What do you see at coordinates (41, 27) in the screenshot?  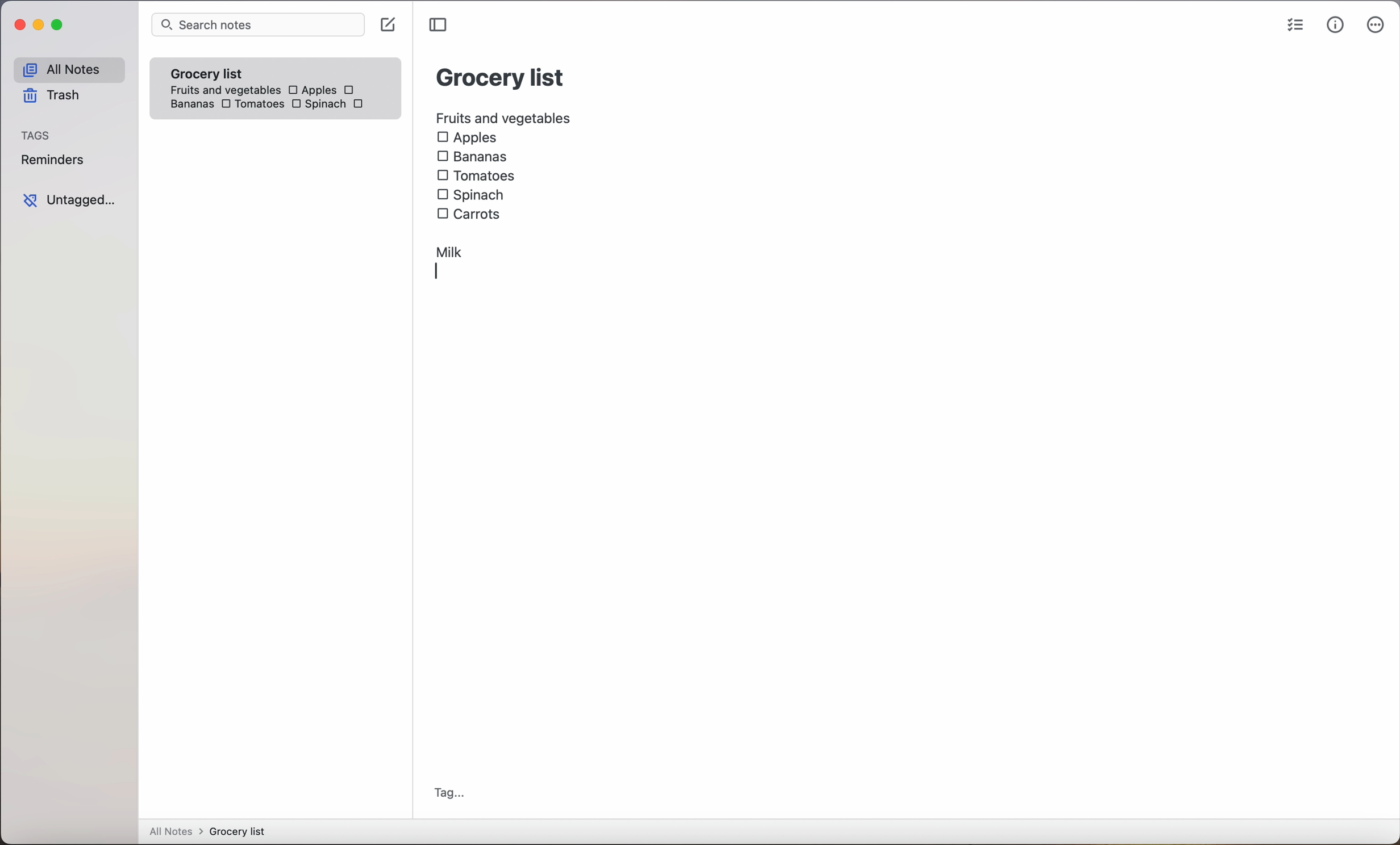 I see `minimize Simplenote` at bounding box center [41, 27].